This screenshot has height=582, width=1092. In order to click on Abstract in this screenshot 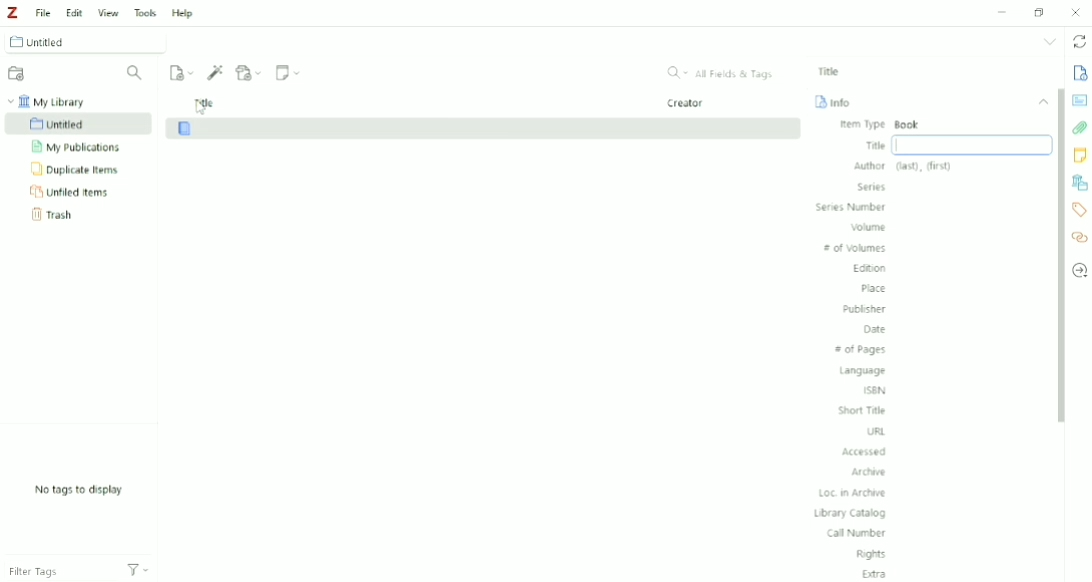, I will do `click(1079, 100)`.